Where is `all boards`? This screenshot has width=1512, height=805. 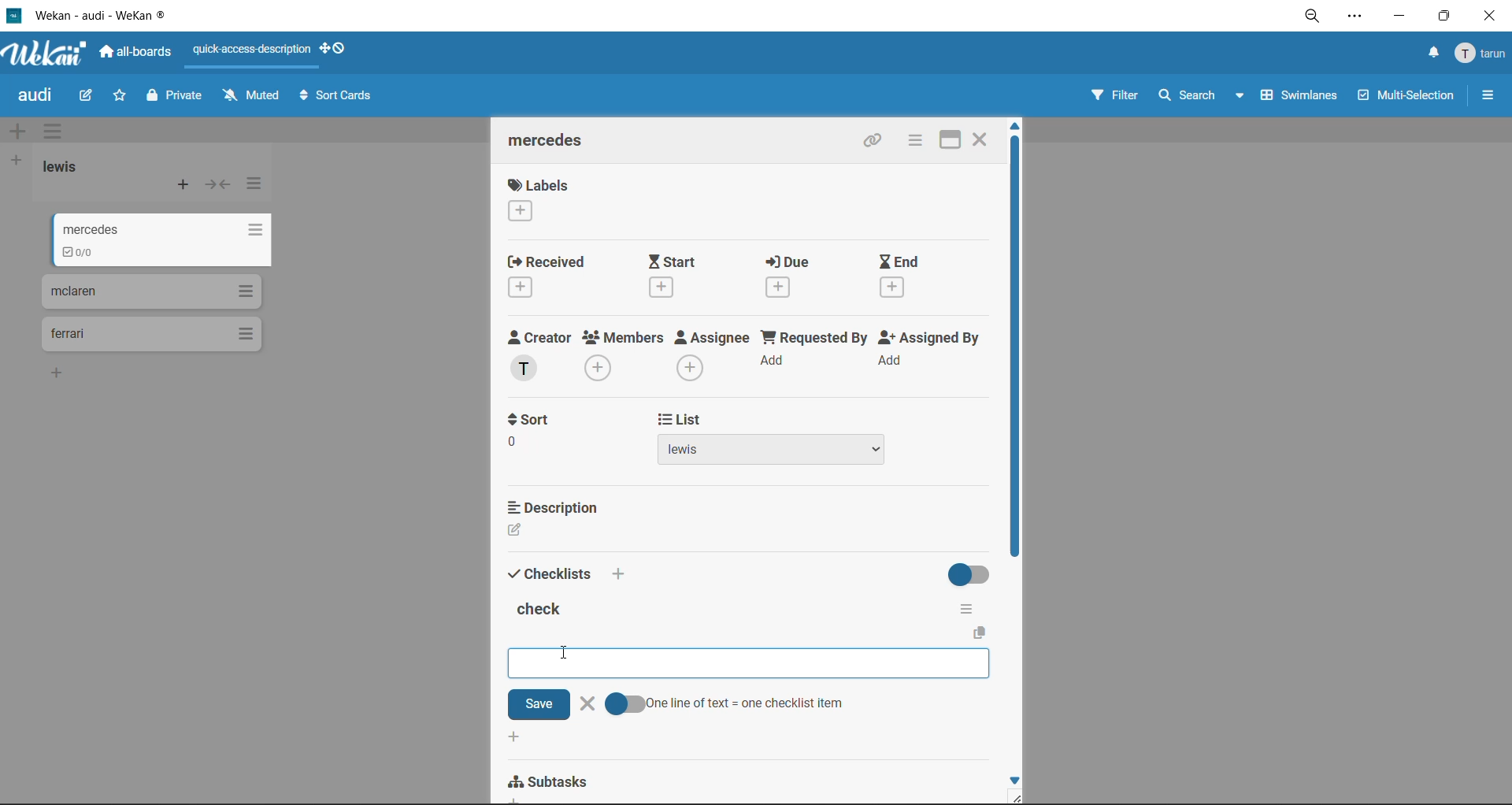
all boards is located at coordinates (138, 54).